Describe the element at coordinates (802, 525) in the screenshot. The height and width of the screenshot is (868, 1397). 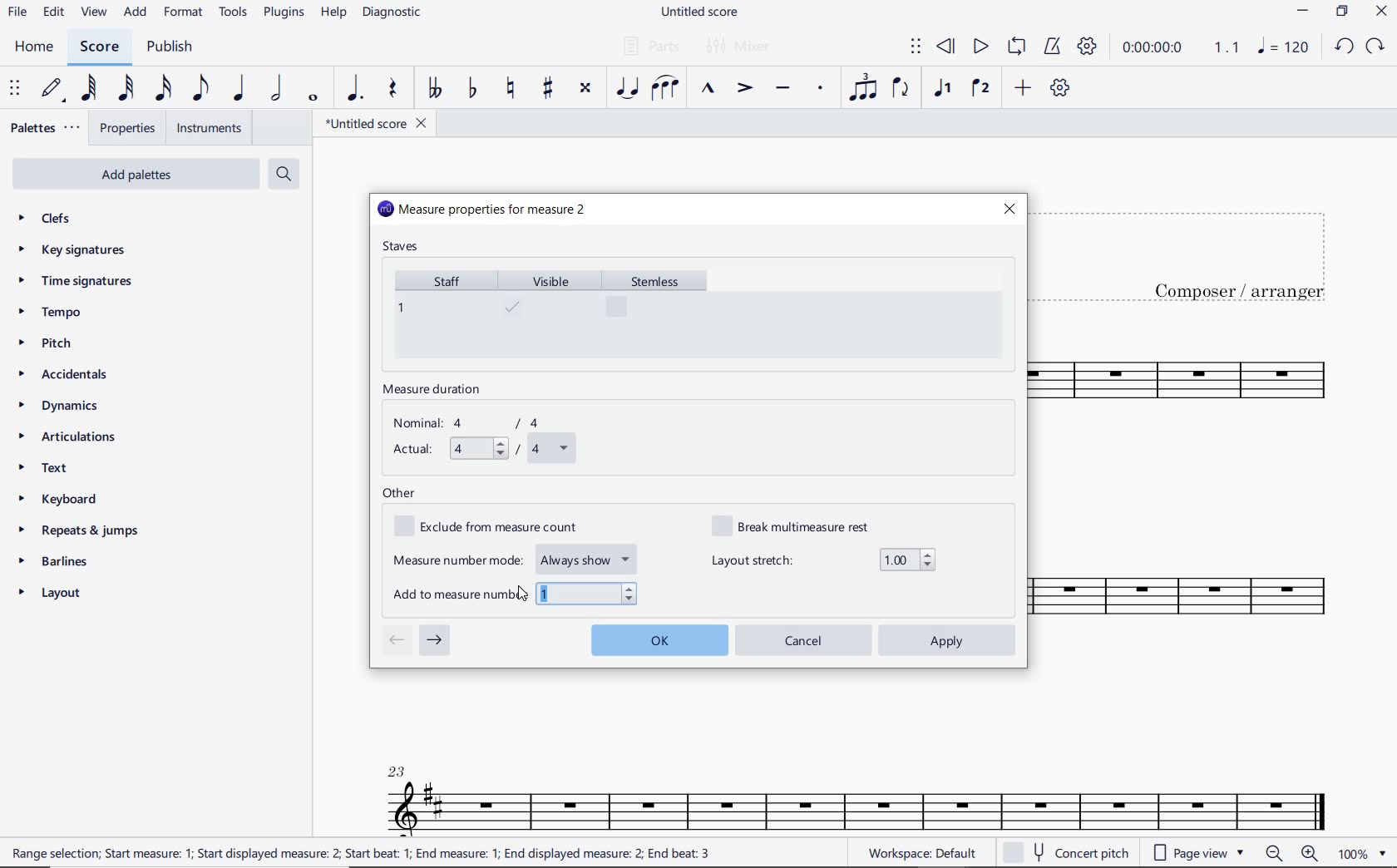
I see `break multimeasure rest` at that location.